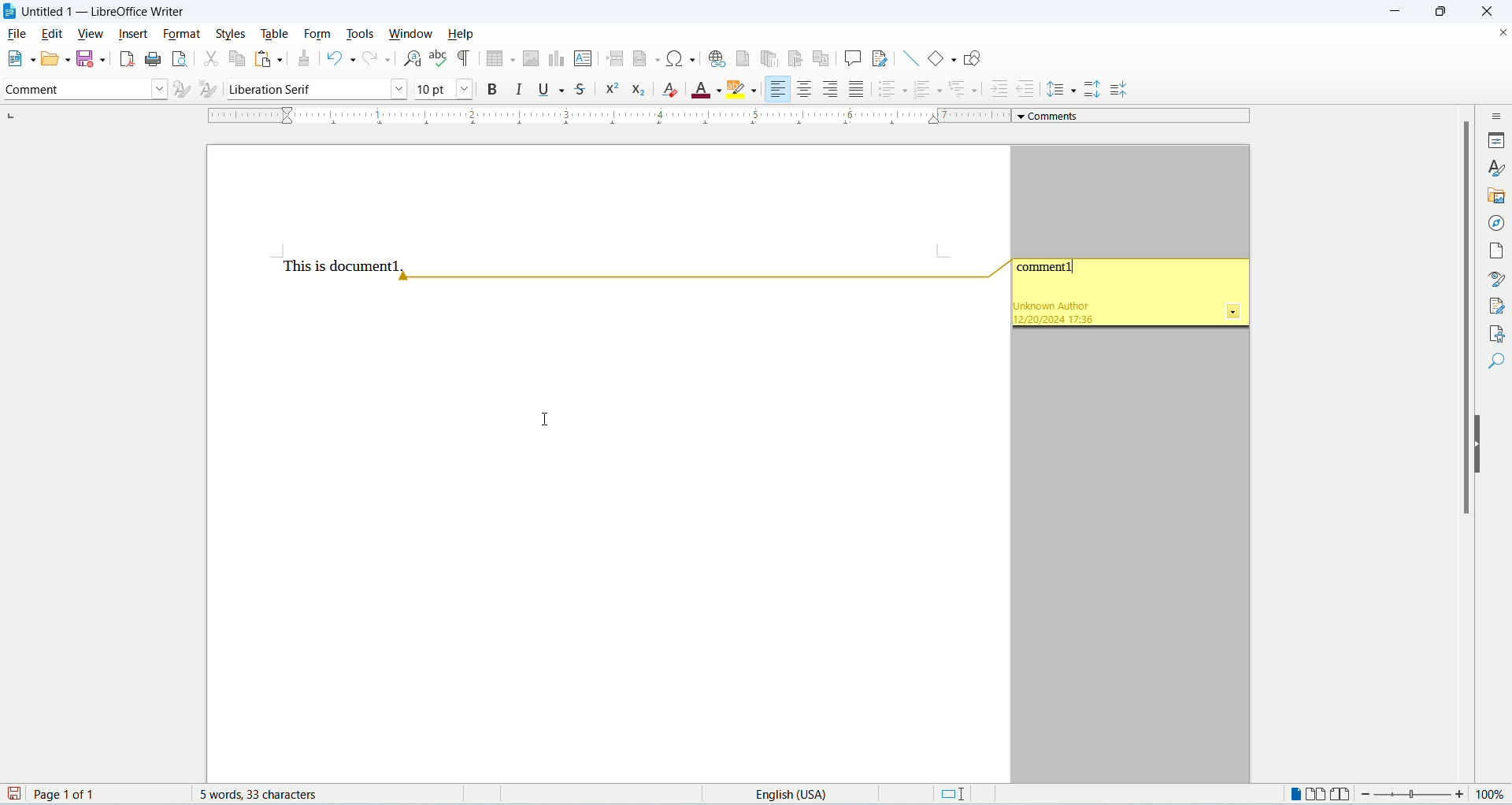 Image resolution: width=1512 pixels, height=805 pixels. Describe the element at coordinates (530, 57) in the screenshot. I see `insert image` at that location.